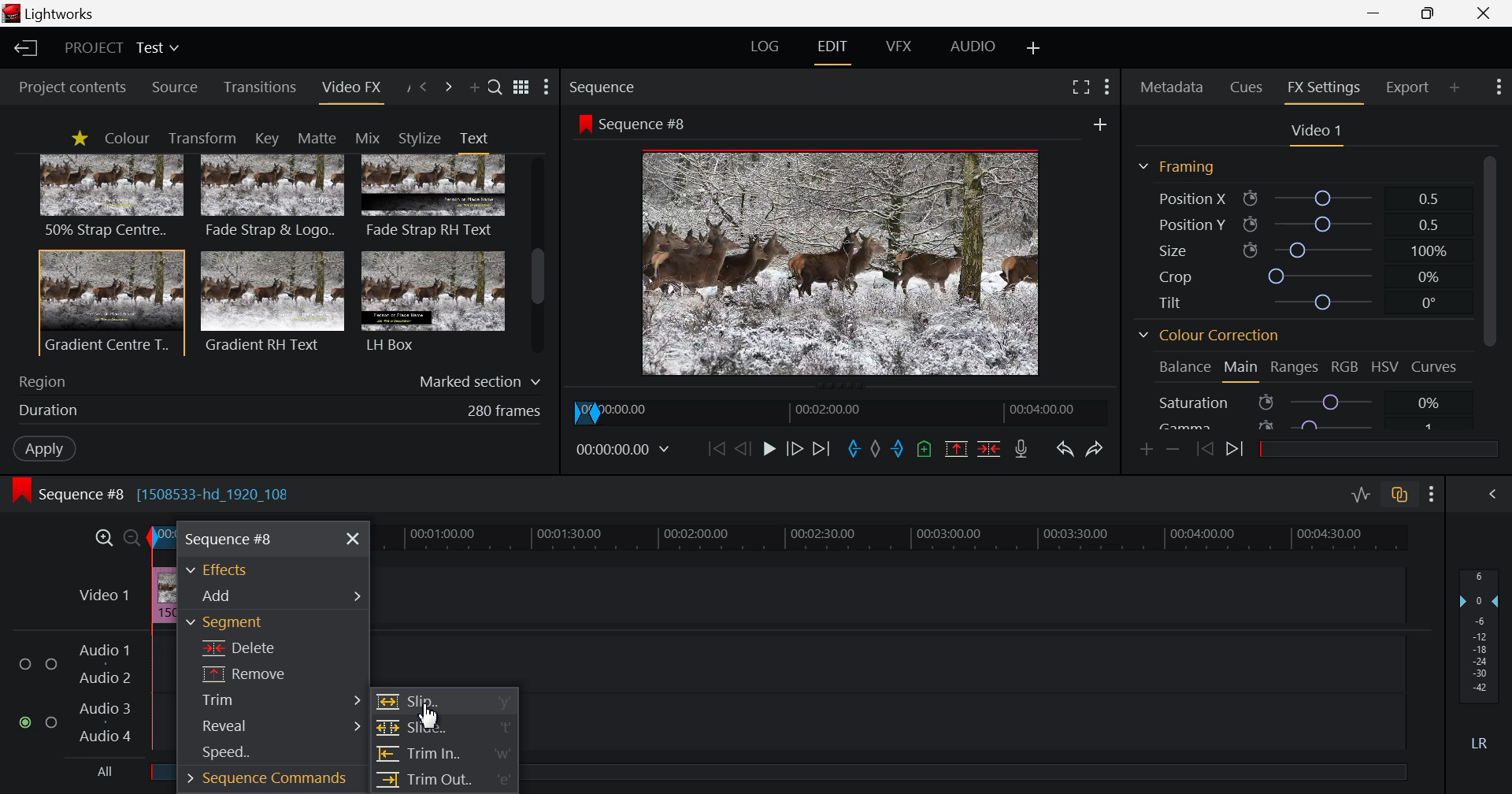 The width and height of the screenshot is (1512, 794). Describe the element at coordinates (474, 91) in the screenshot. I see `Add Panel` at that location.